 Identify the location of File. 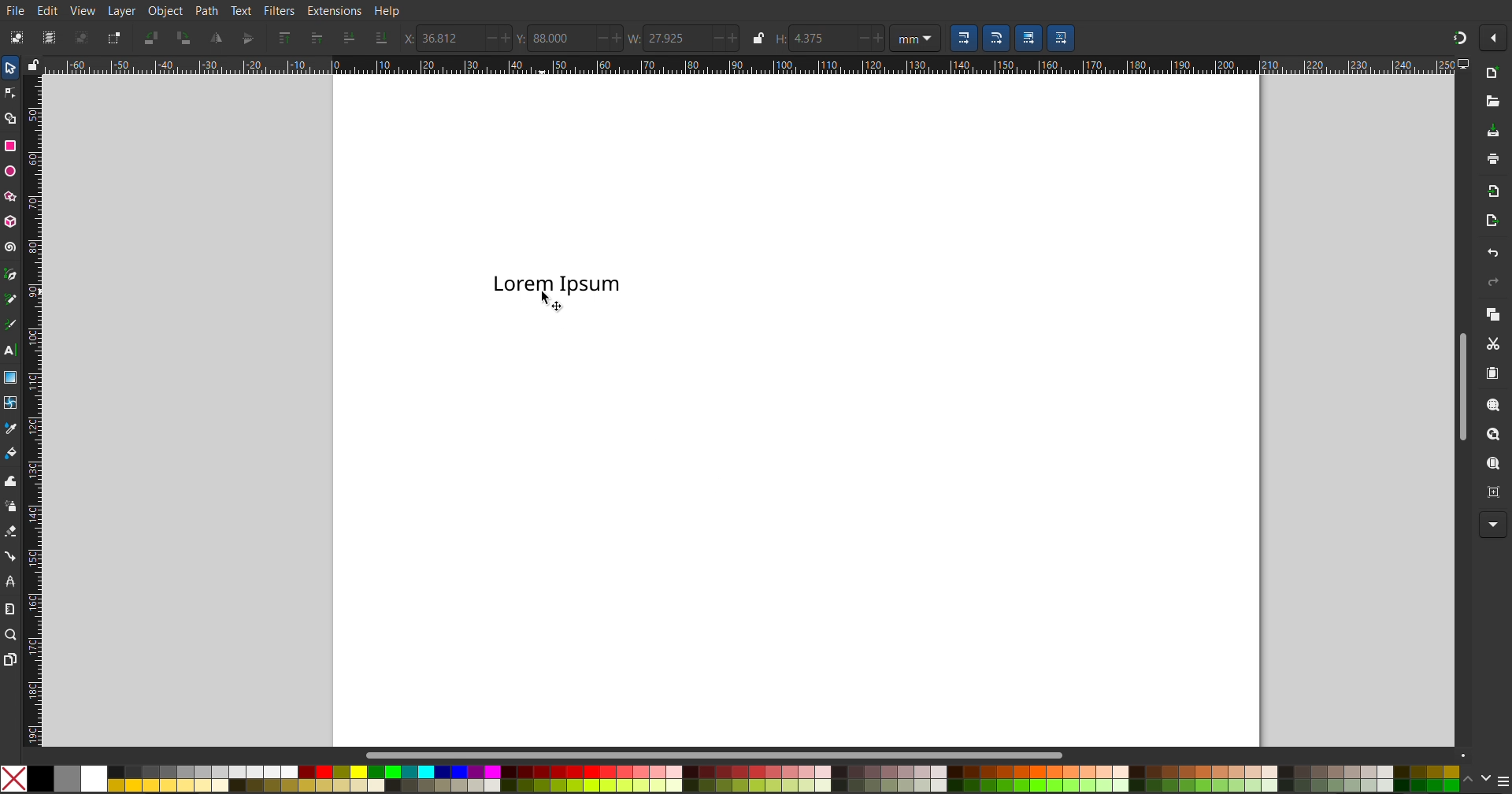
(17, 9).